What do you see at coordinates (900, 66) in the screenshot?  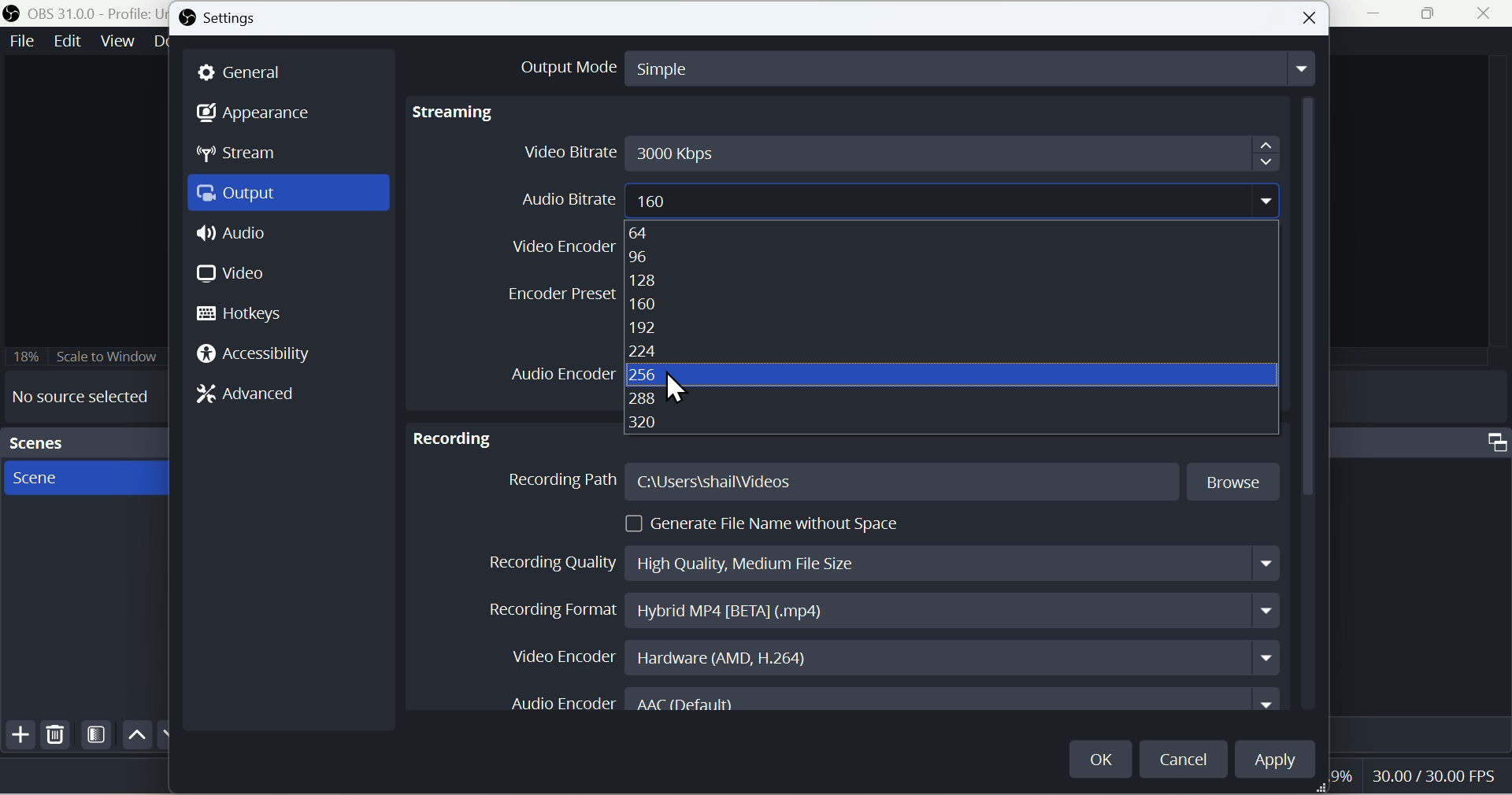 I see `Output Mode` at bounding box center [900, 66].